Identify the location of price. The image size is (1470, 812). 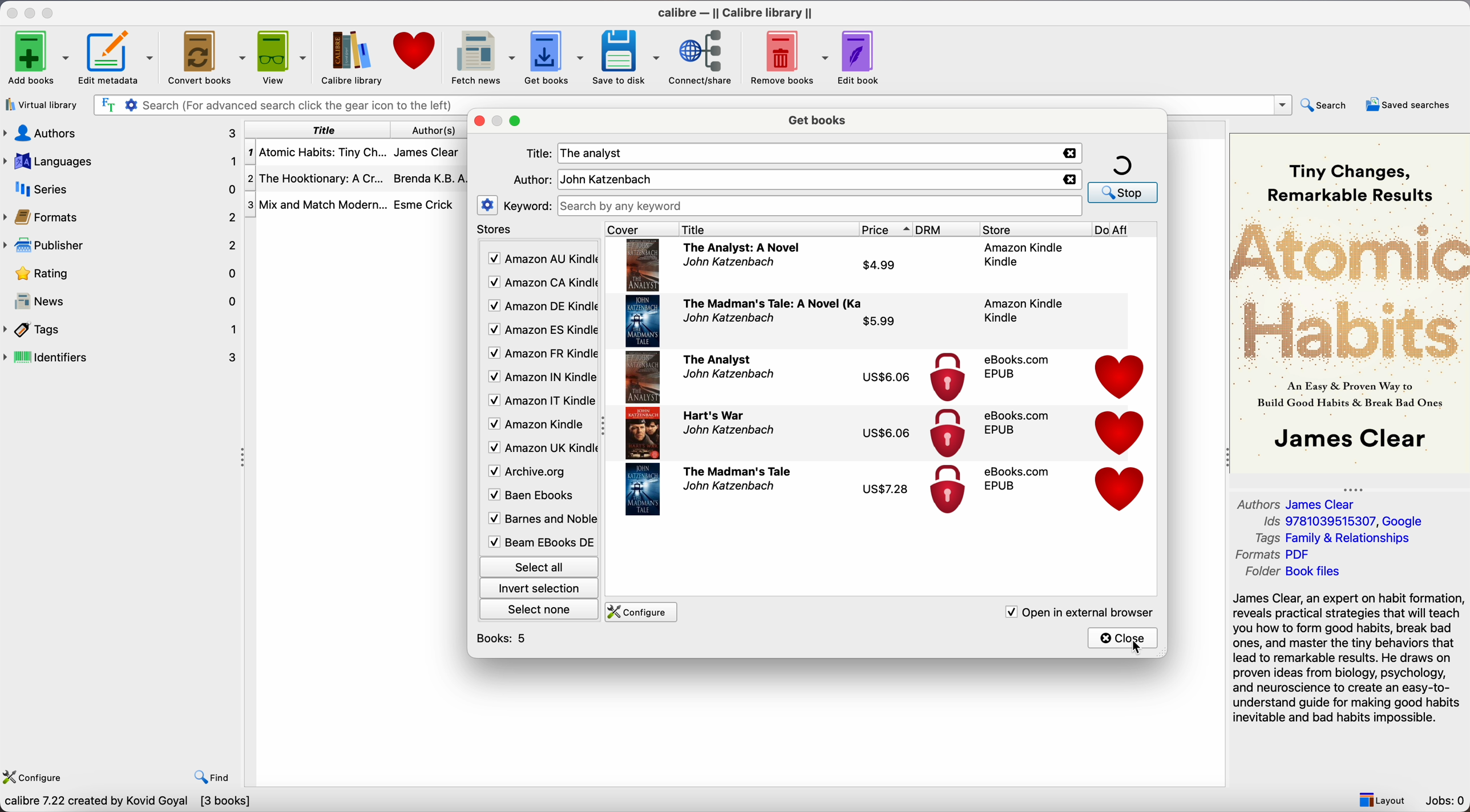
(887, 230).